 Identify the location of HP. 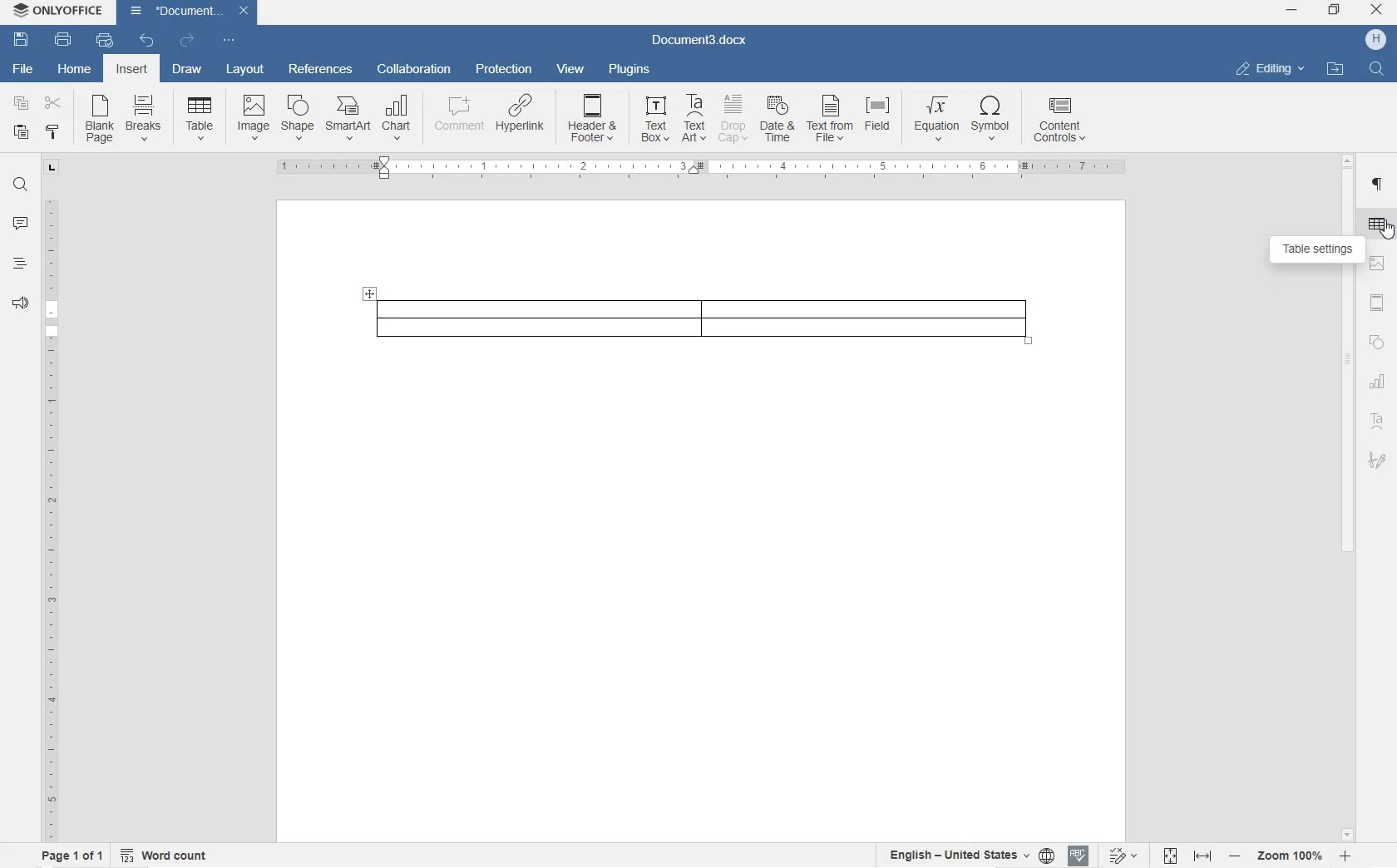
(1375, 40).